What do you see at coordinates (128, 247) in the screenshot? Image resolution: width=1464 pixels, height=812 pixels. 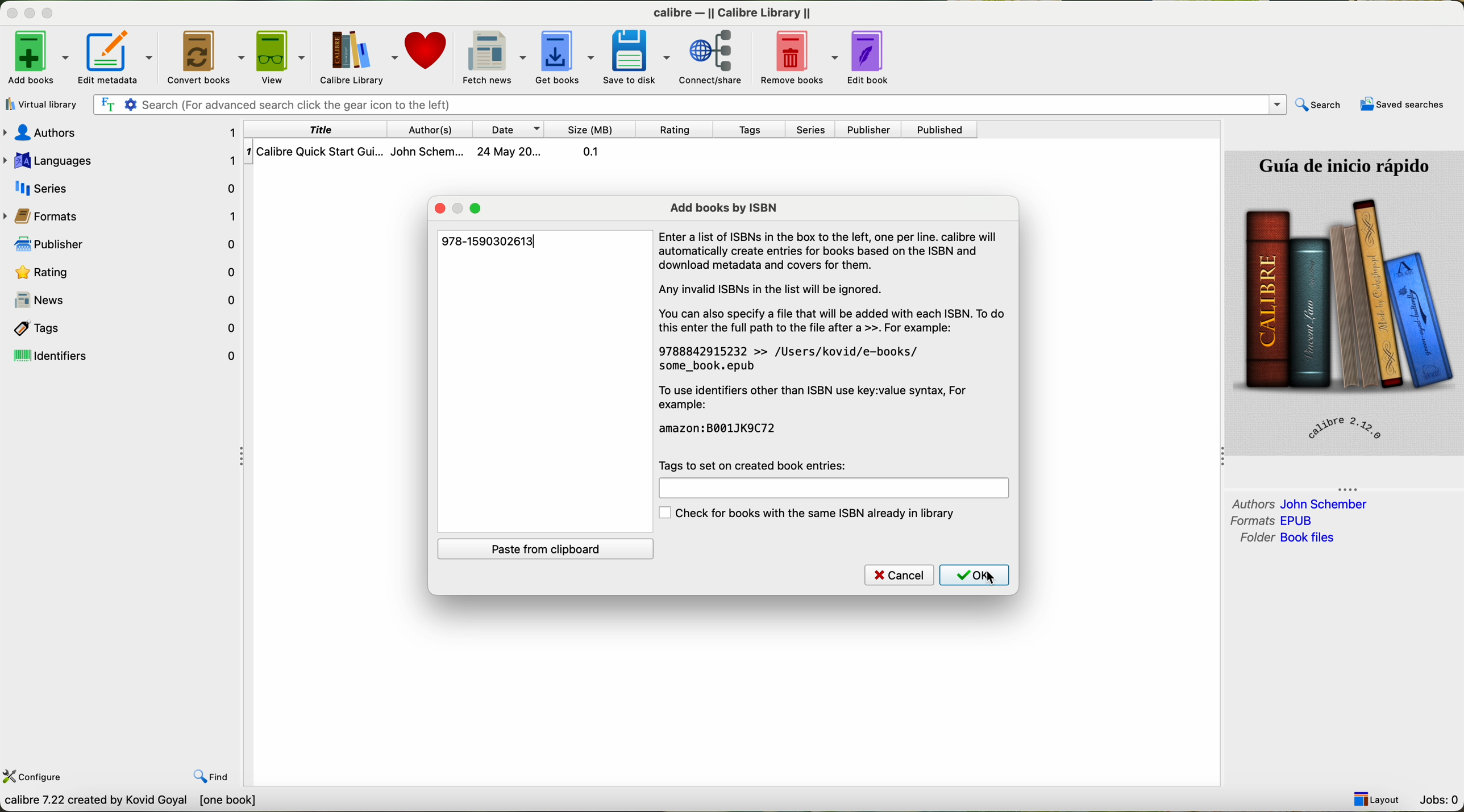 I see `publishers` at bounding box center [128, 247].